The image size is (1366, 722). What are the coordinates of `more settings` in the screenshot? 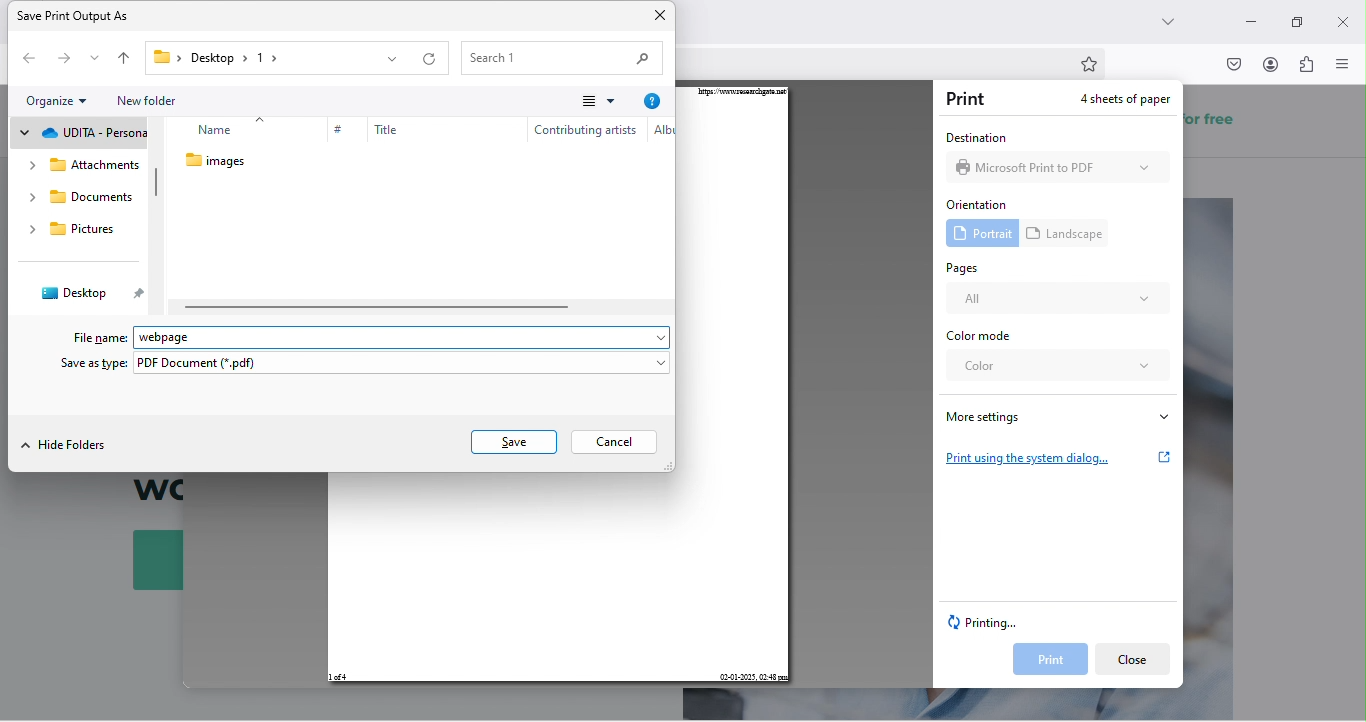 It's located at (1057, 416).